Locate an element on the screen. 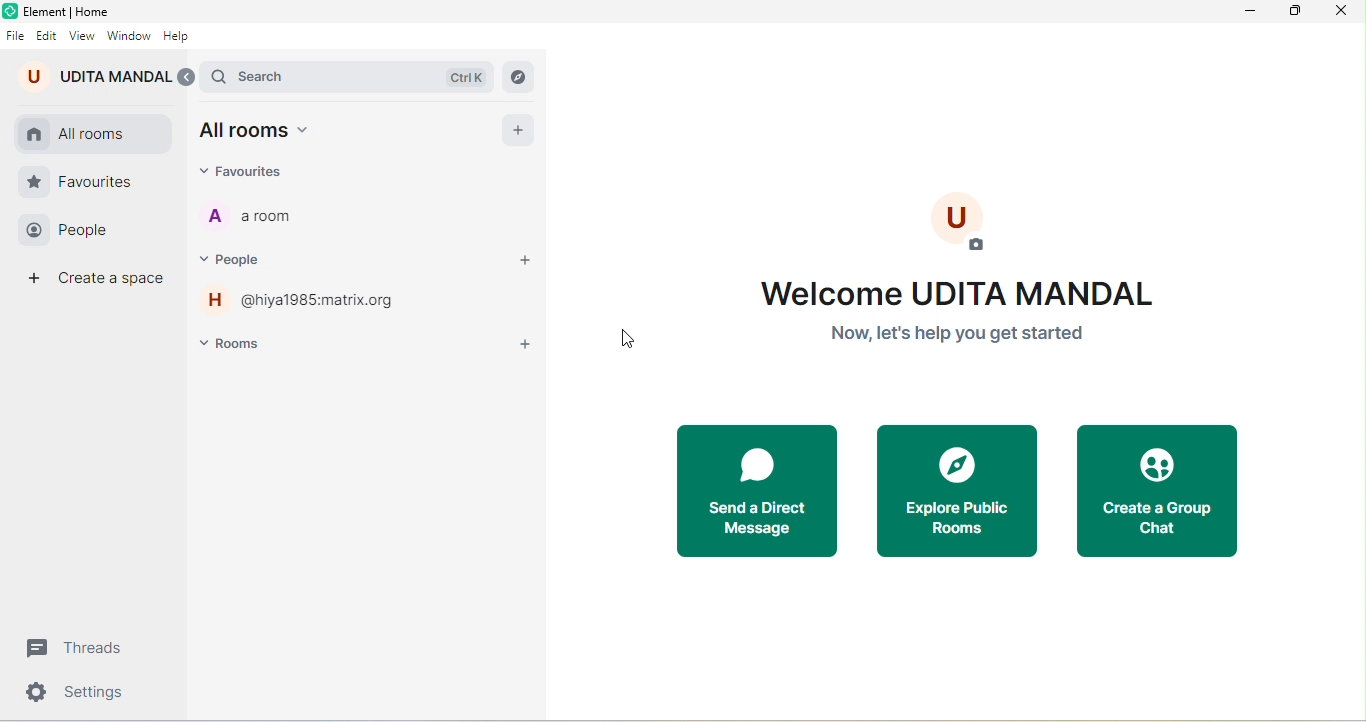 Image resolution: width=1366 pixels, height=722 pixels. start a chat is located at coordinates (530, 262).